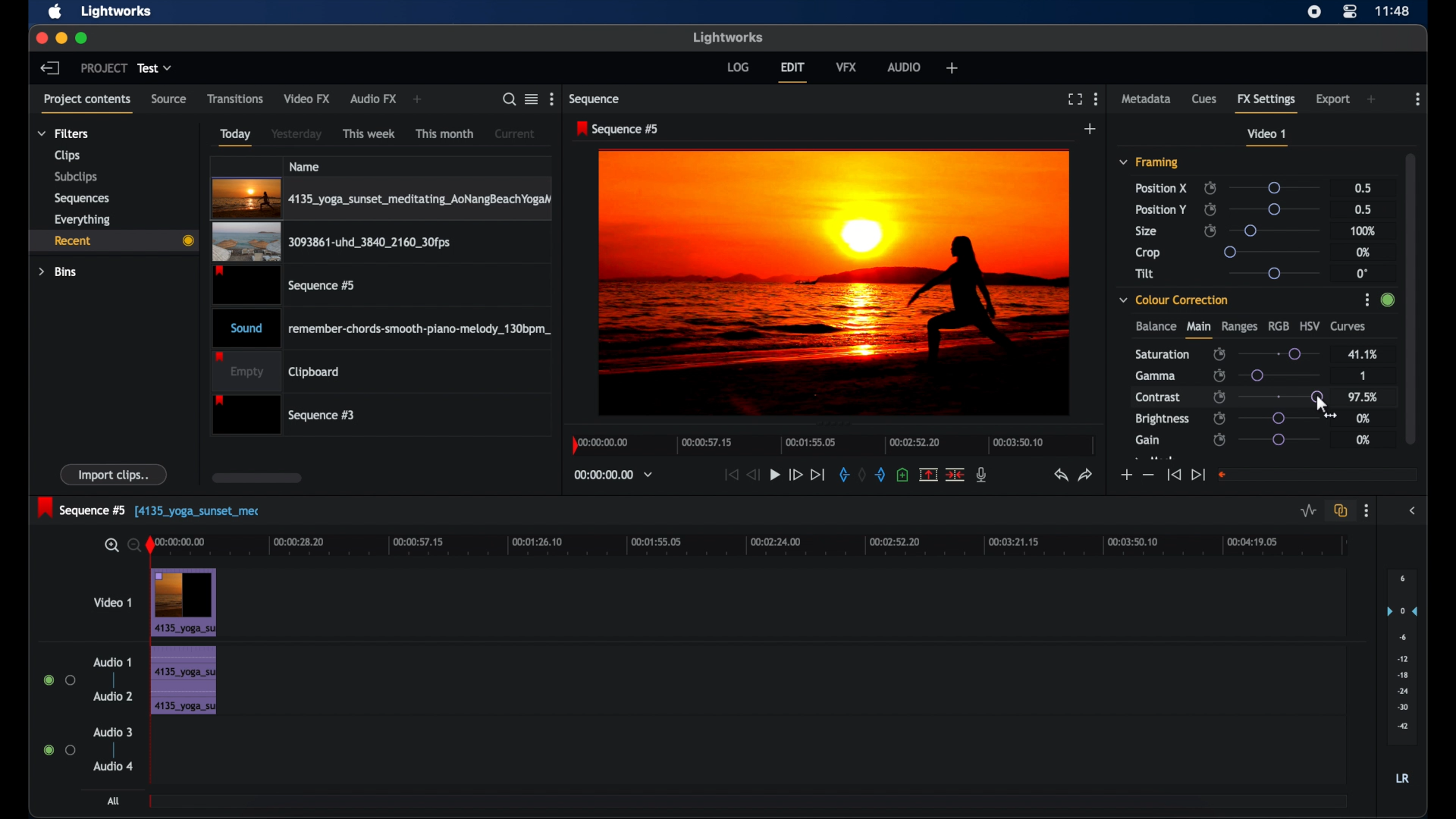  I want to click on out mark, so click(881, 474).